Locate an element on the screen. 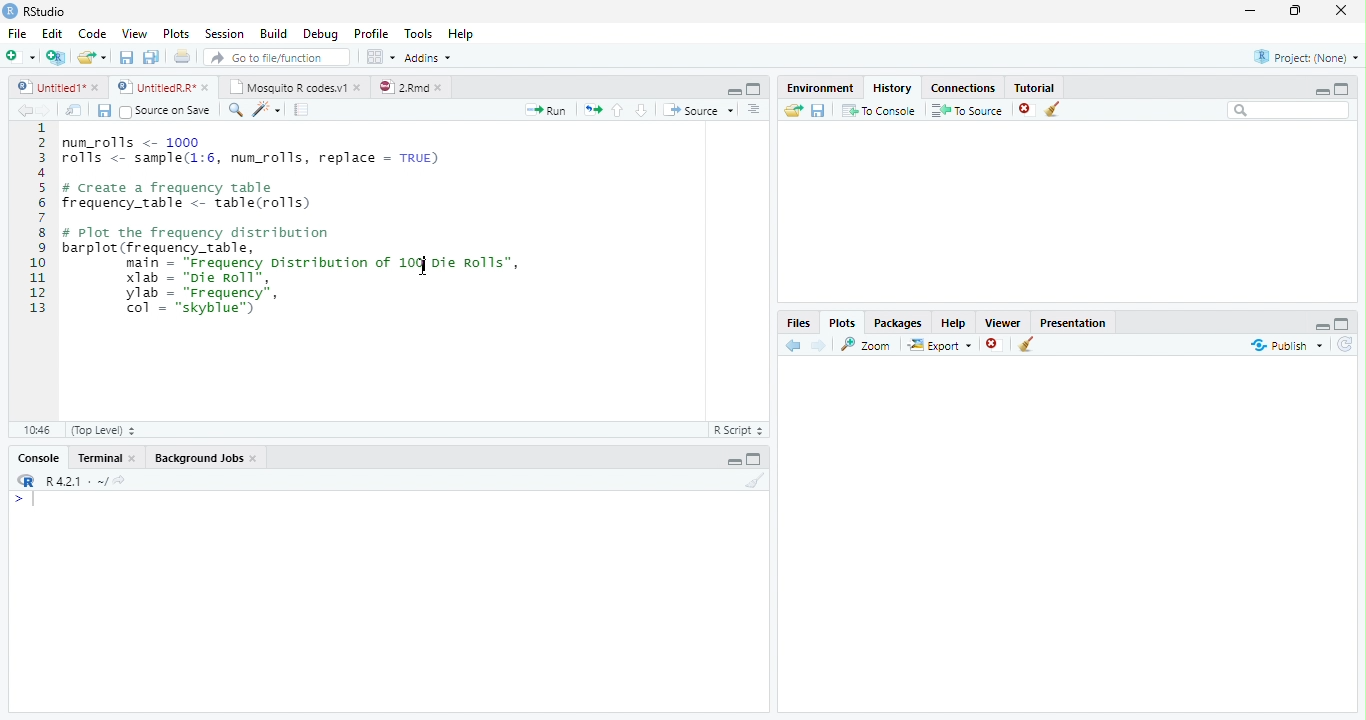 This screenshot has width=1366, height=720. Source is located at coordinates (698, 111).